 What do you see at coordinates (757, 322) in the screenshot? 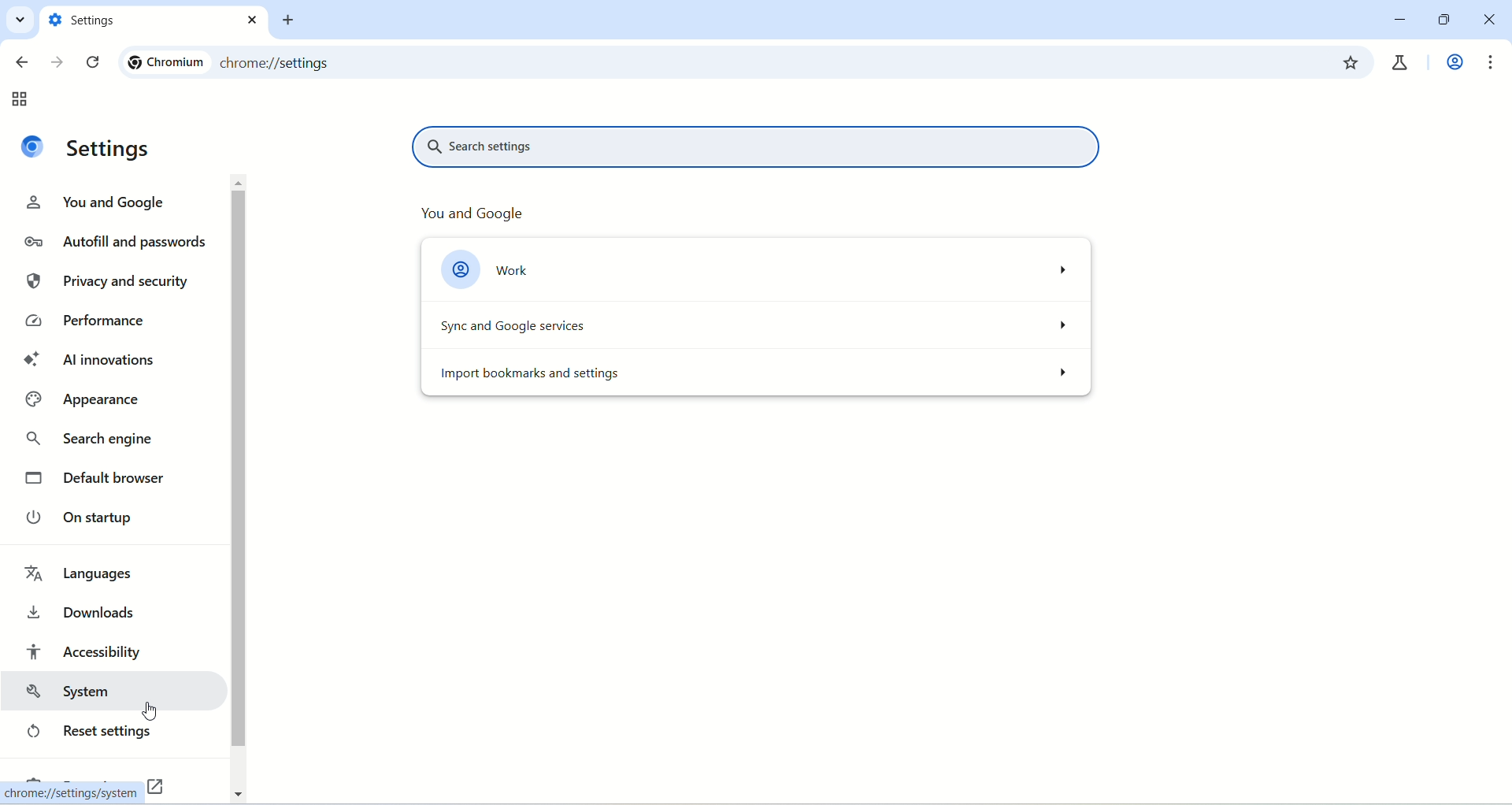
I see `sync and google search` at bounding box center [757, 322].